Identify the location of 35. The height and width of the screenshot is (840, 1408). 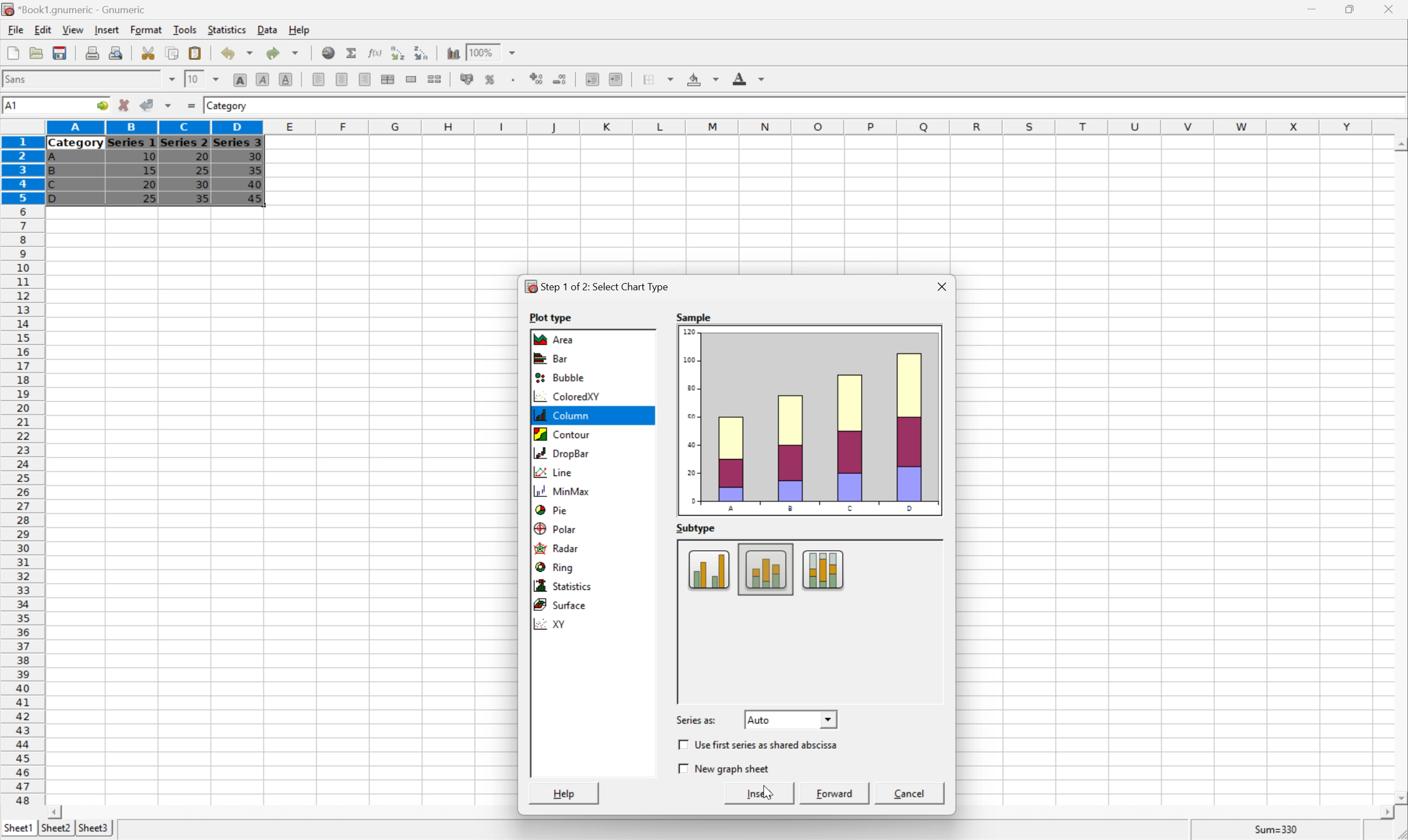
(255, 170).